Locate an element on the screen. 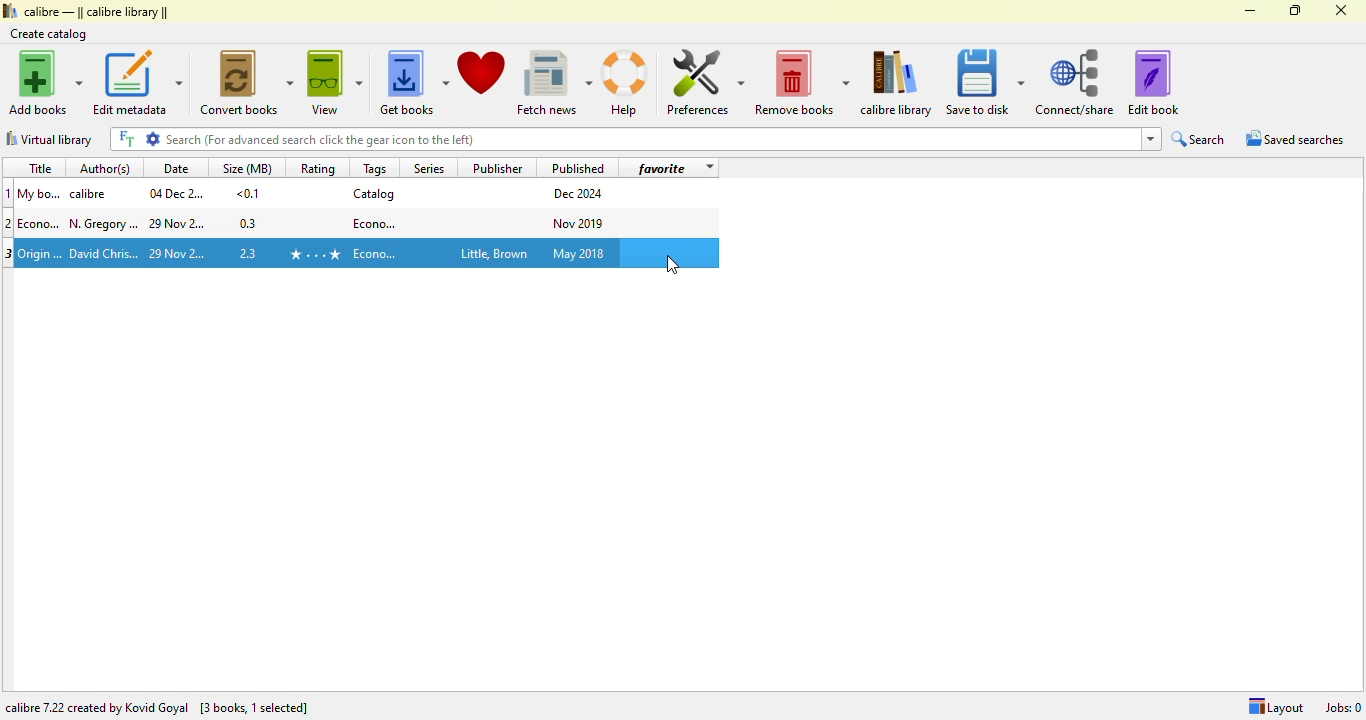  publisher is located at coordinates (492, 255).